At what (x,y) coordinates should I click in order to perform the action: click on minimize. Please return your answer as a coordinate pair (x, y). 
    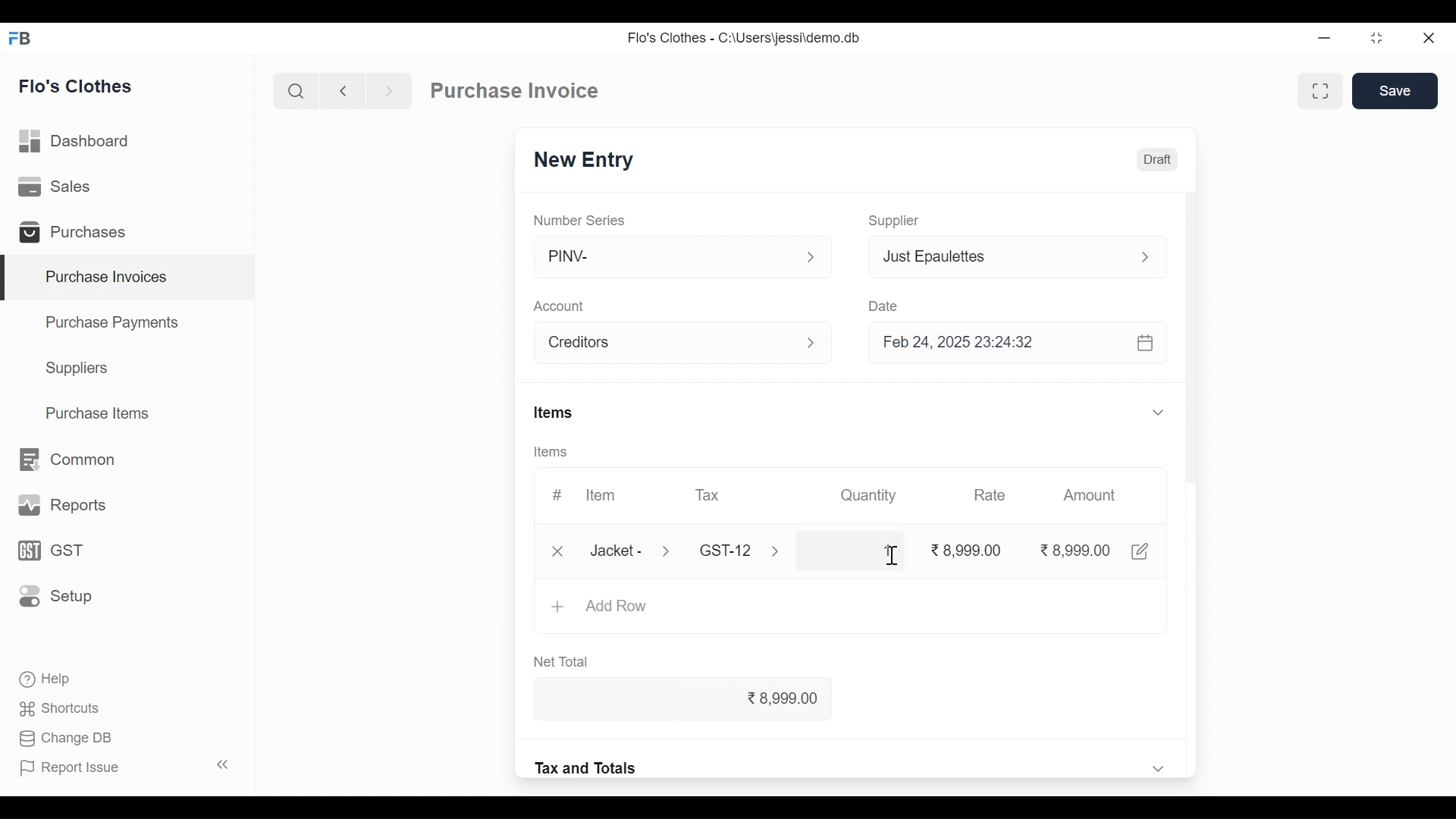
    Looking at the image, I should click on (1326, 39).